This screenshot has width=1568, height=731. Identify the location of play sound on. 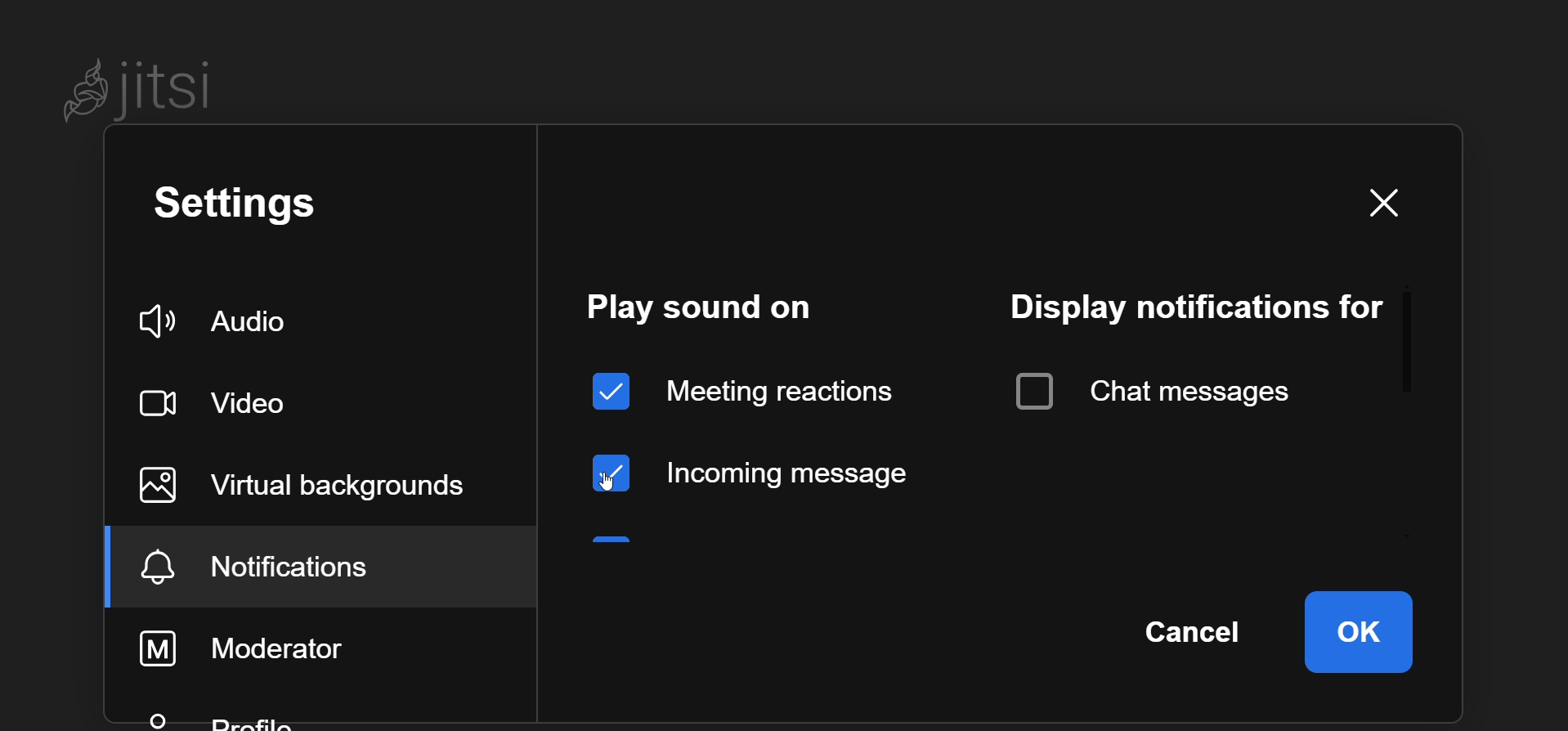
(701, 309).